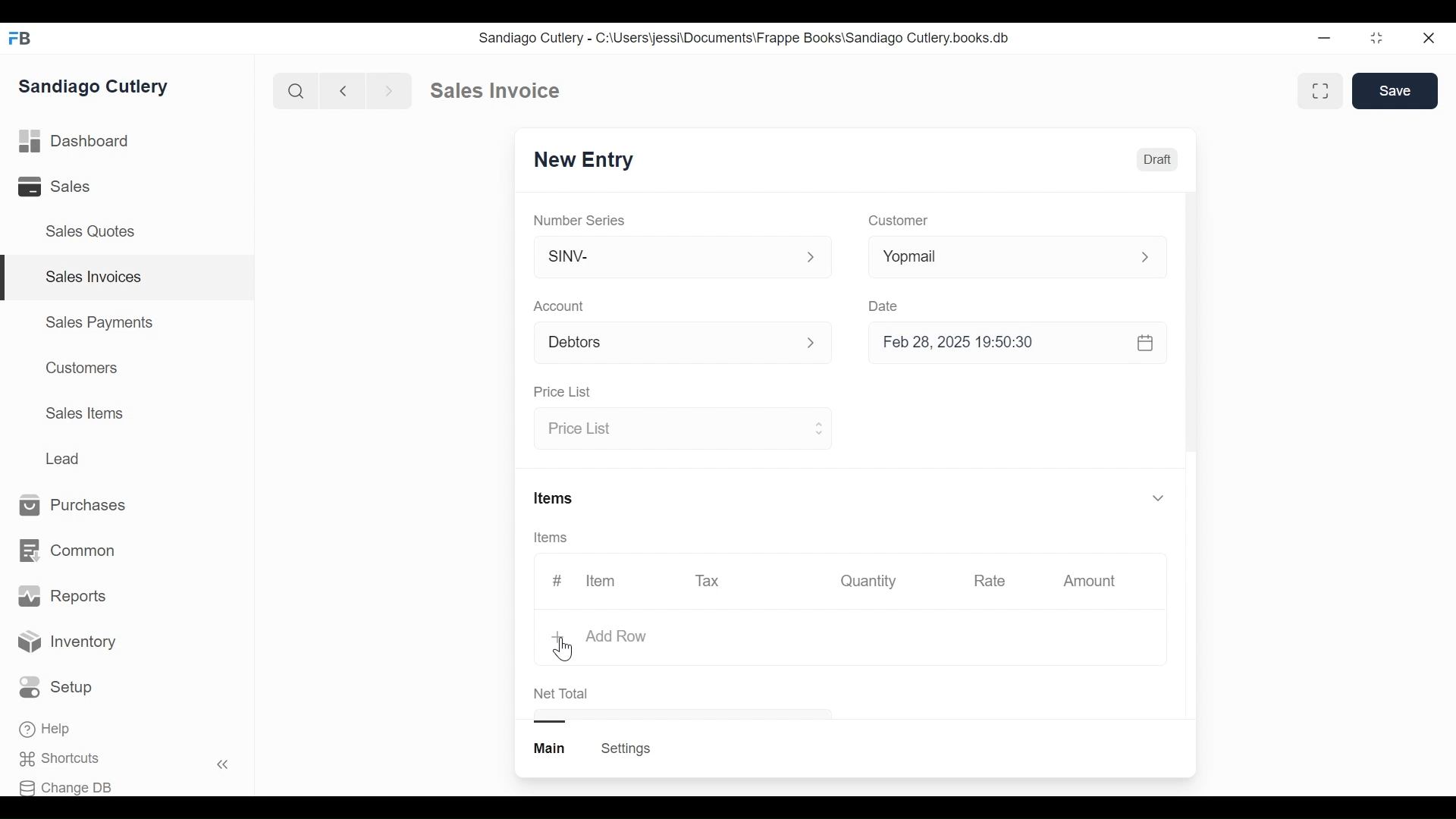  What do you see at coordinates (20, 38) in the screenshot?
I see `FB logo` at bounding box center [20, 38].